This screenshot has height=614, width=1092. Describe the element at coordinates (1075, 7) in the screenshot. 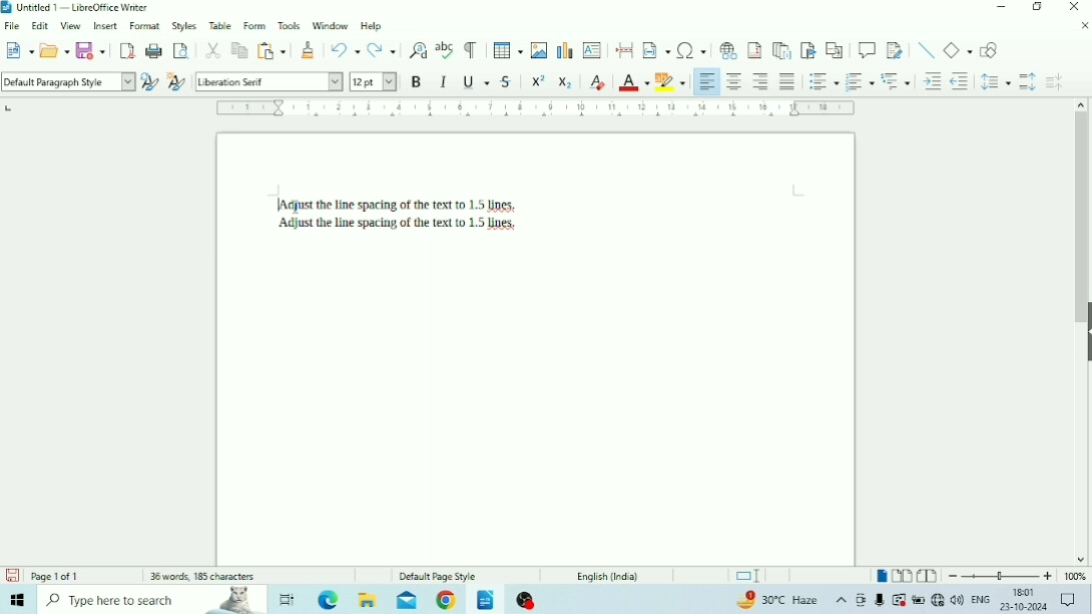

I see `Close` at that location.